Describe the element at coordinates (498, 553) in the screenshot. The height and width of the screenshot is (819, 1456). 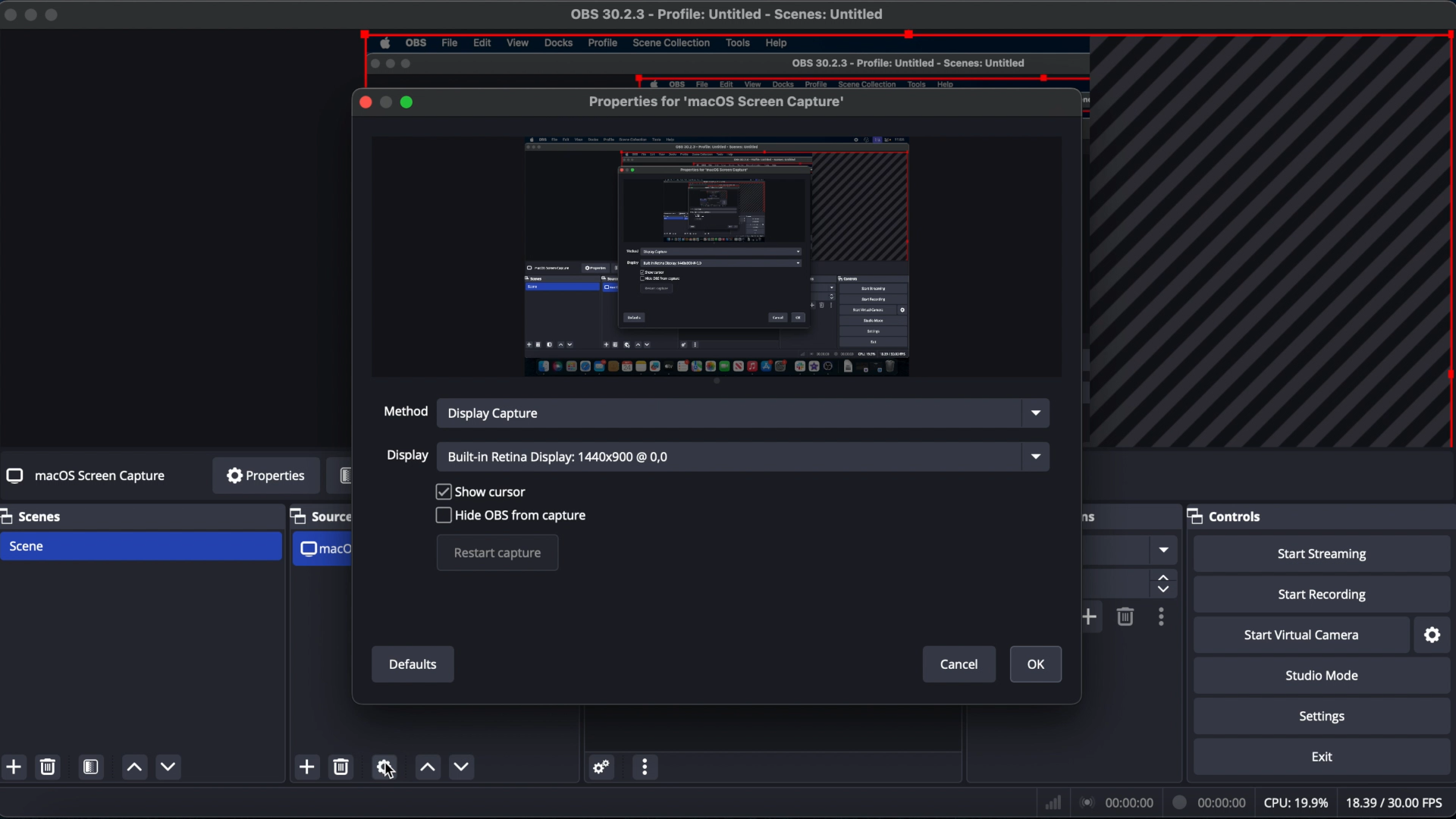
I see `restart capture button` at that location.